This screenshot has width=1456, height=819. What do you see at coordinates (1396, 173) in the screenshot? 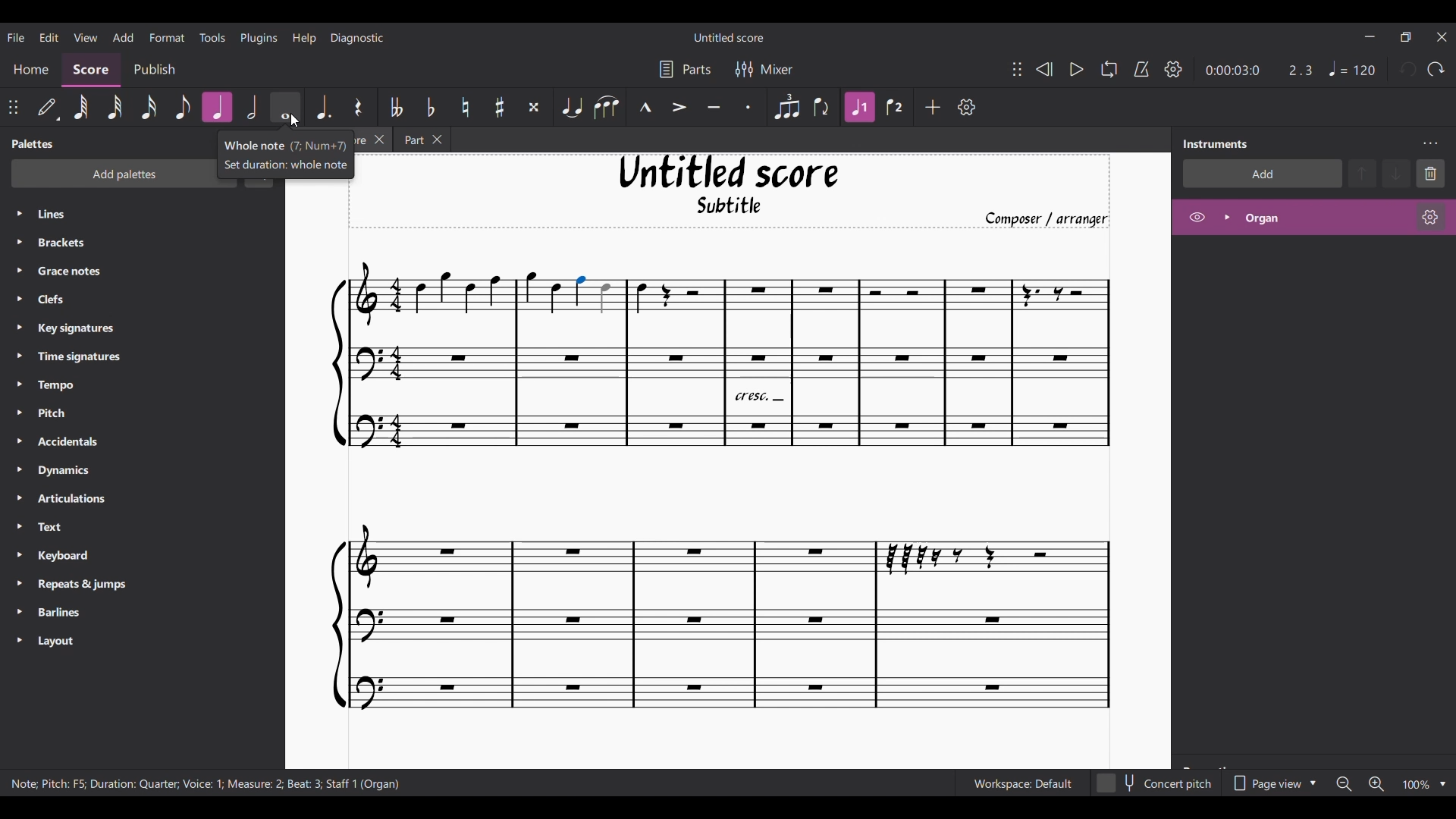
I see `Move selection down` at bounding box center [1396, 173].